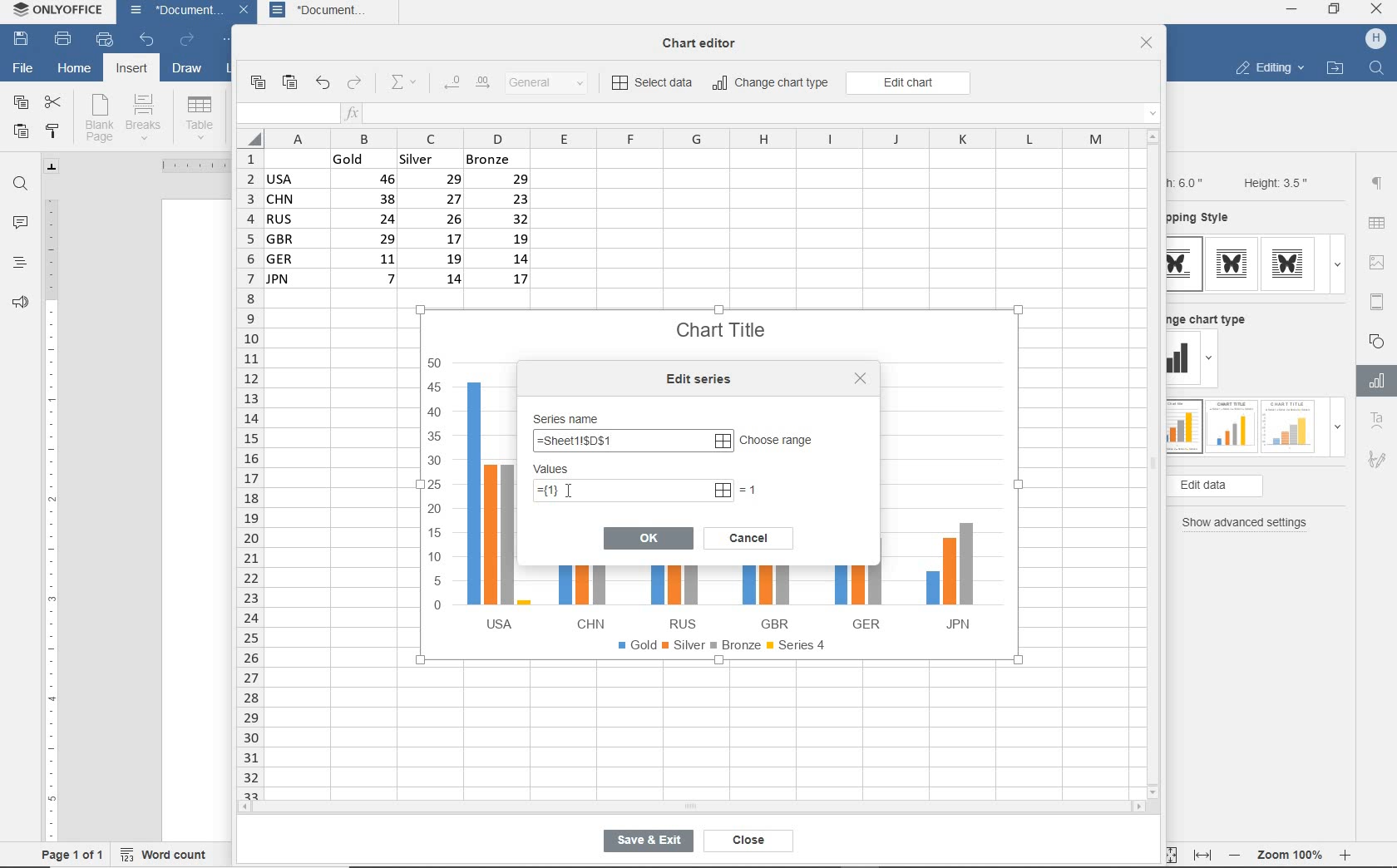 The height and width of the screenshot is (868, 1397). I want to click on close, so click(246, 12).